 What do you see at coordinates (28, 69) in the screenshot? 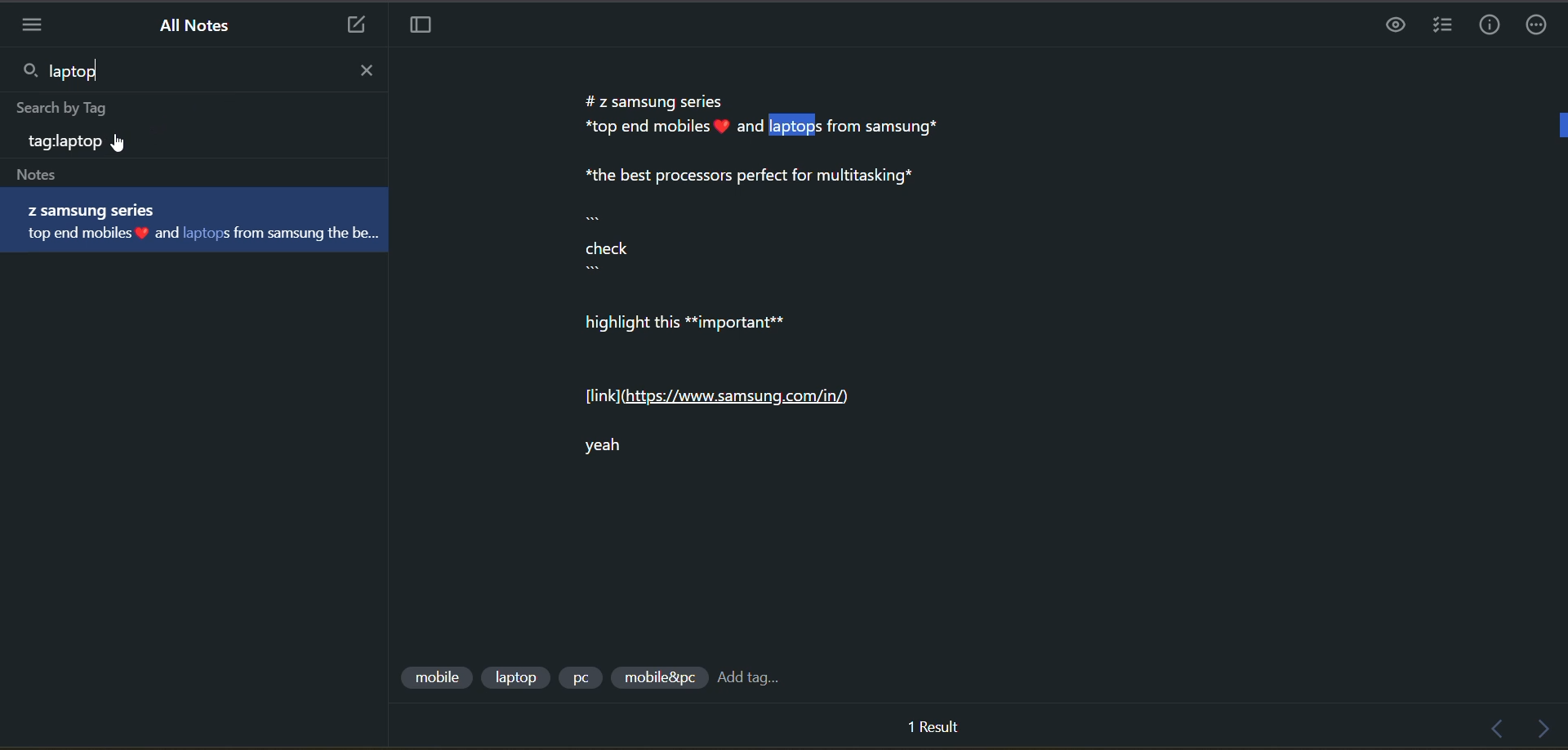
I see `search` at bounding box center [28, 69].